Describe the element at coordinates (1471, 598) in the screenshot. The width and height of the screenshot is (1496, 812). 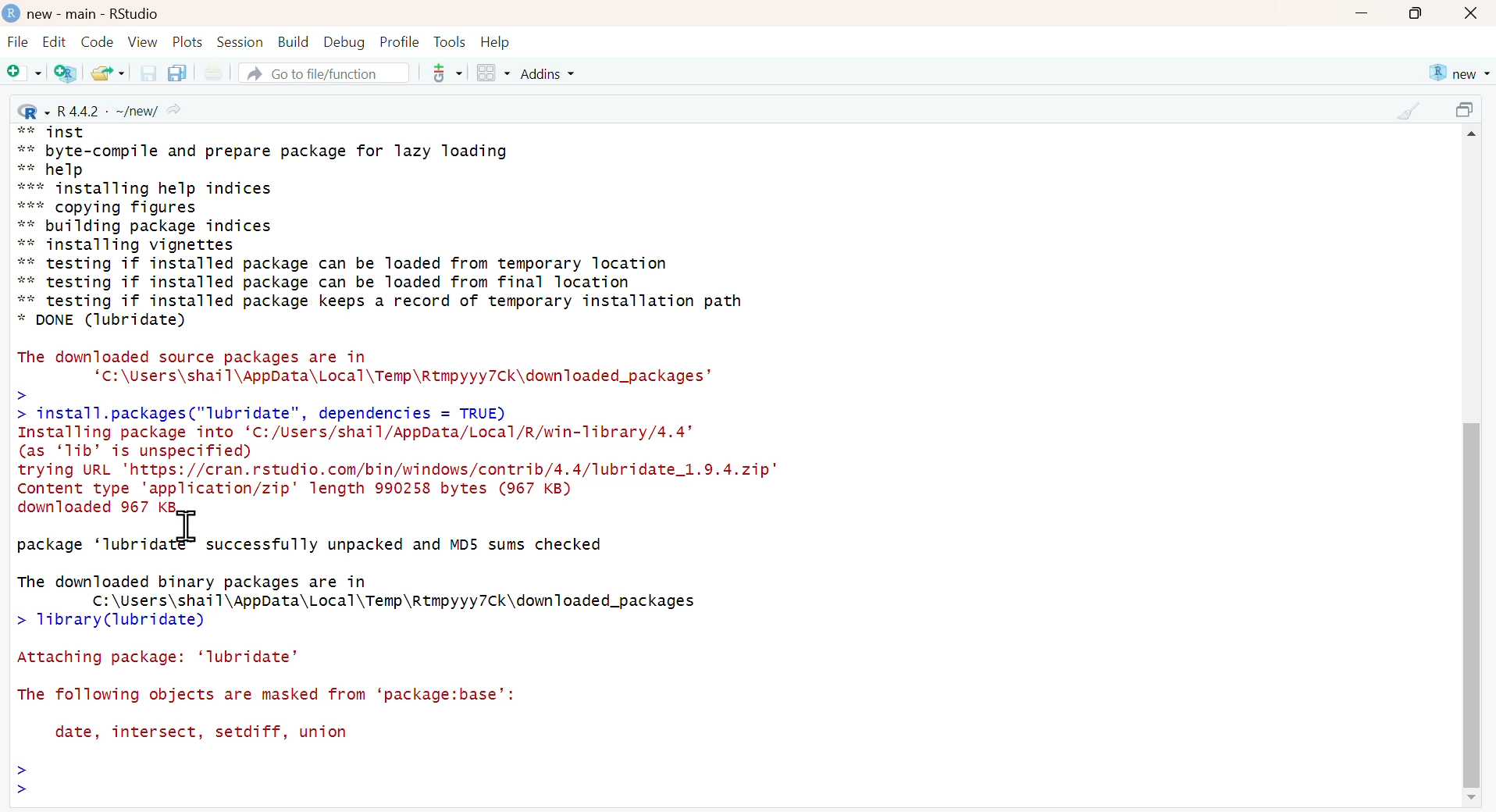
I see `scroll bar` at that location.